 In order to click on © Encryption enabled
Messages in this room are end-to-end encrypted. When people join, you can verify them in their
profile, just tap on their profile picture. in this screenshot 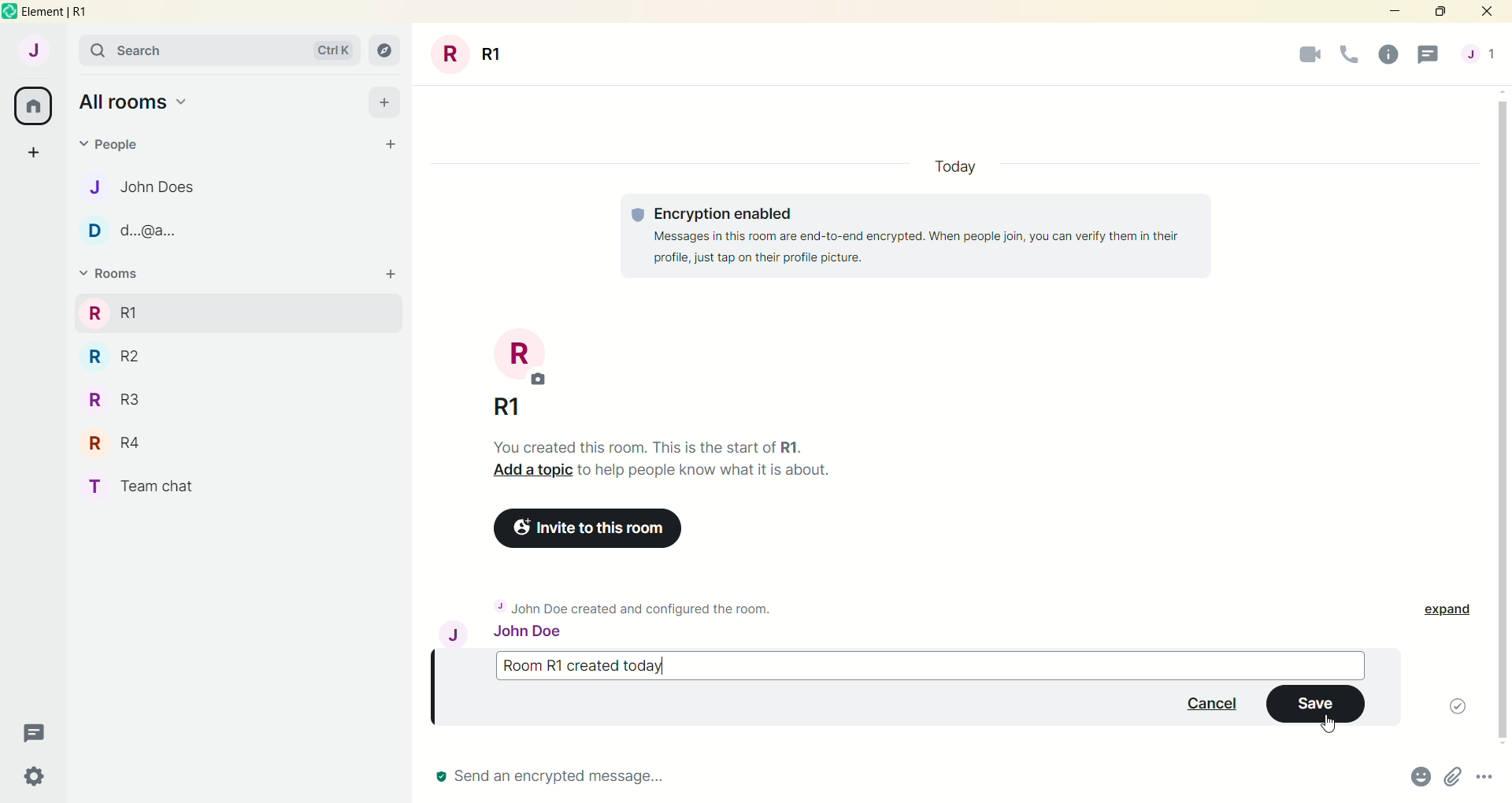, I will do `click(926, 236)`.